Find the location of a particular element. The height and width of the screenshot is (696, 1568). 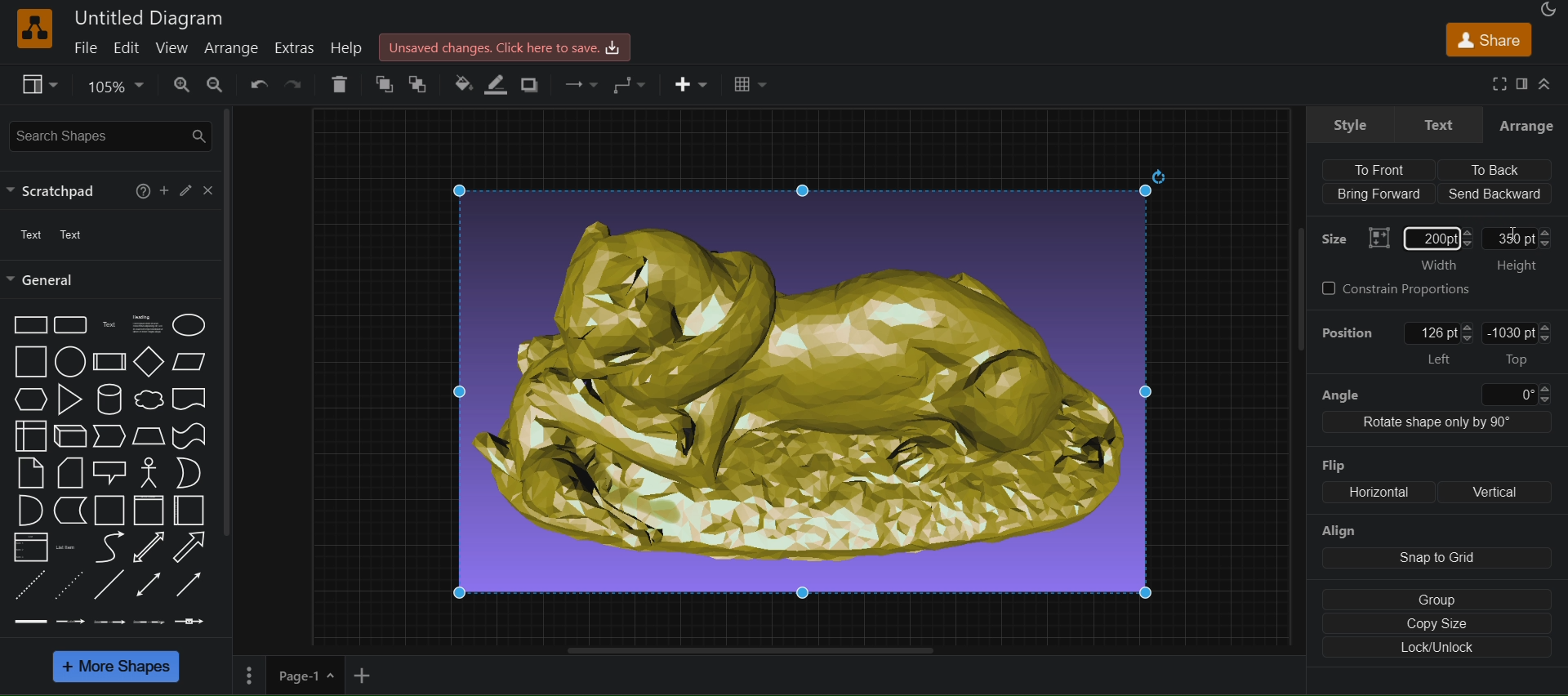

arrange is located at coordinates (233, 49).